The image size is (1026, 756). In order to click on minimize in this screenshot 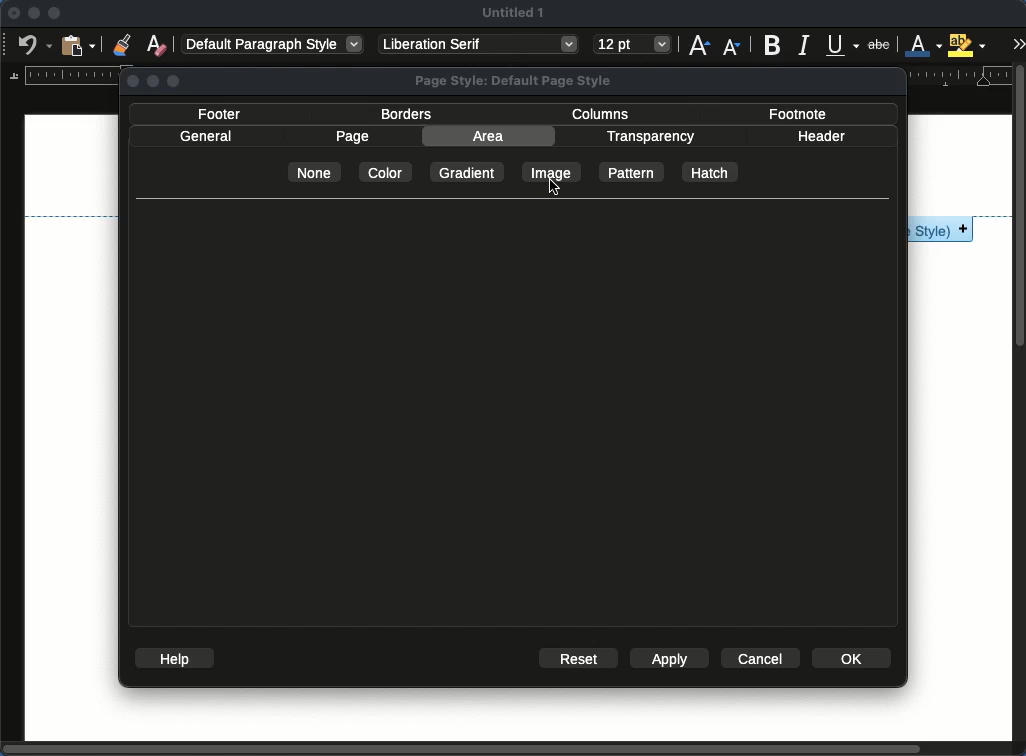, I will do `click(33, 14)`.